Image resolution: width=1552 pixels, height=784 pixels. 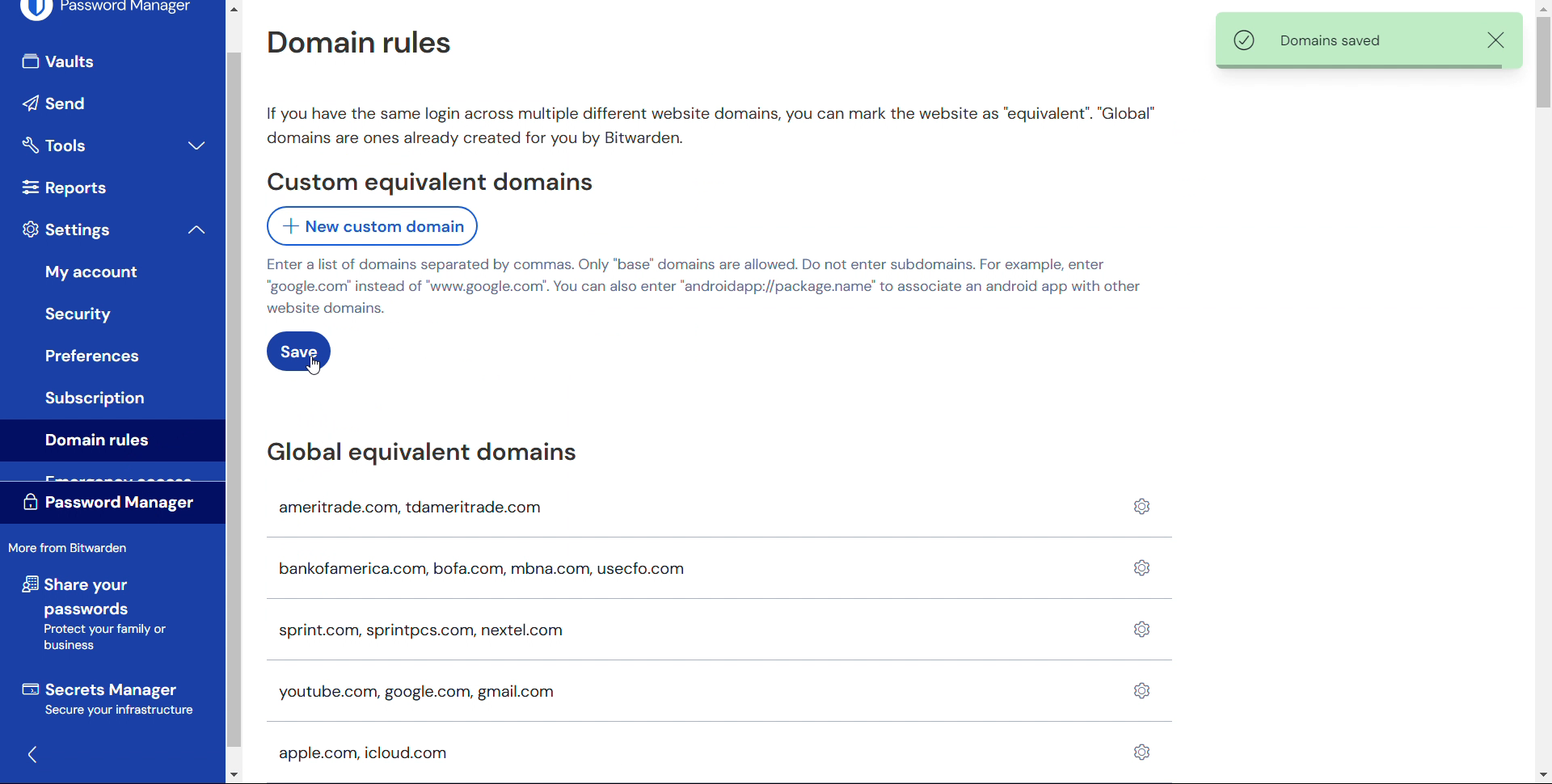 What do you see at coordinates (113, 504) in the screenshot?
I see `Password manager ` at bounding box center [113, 504].